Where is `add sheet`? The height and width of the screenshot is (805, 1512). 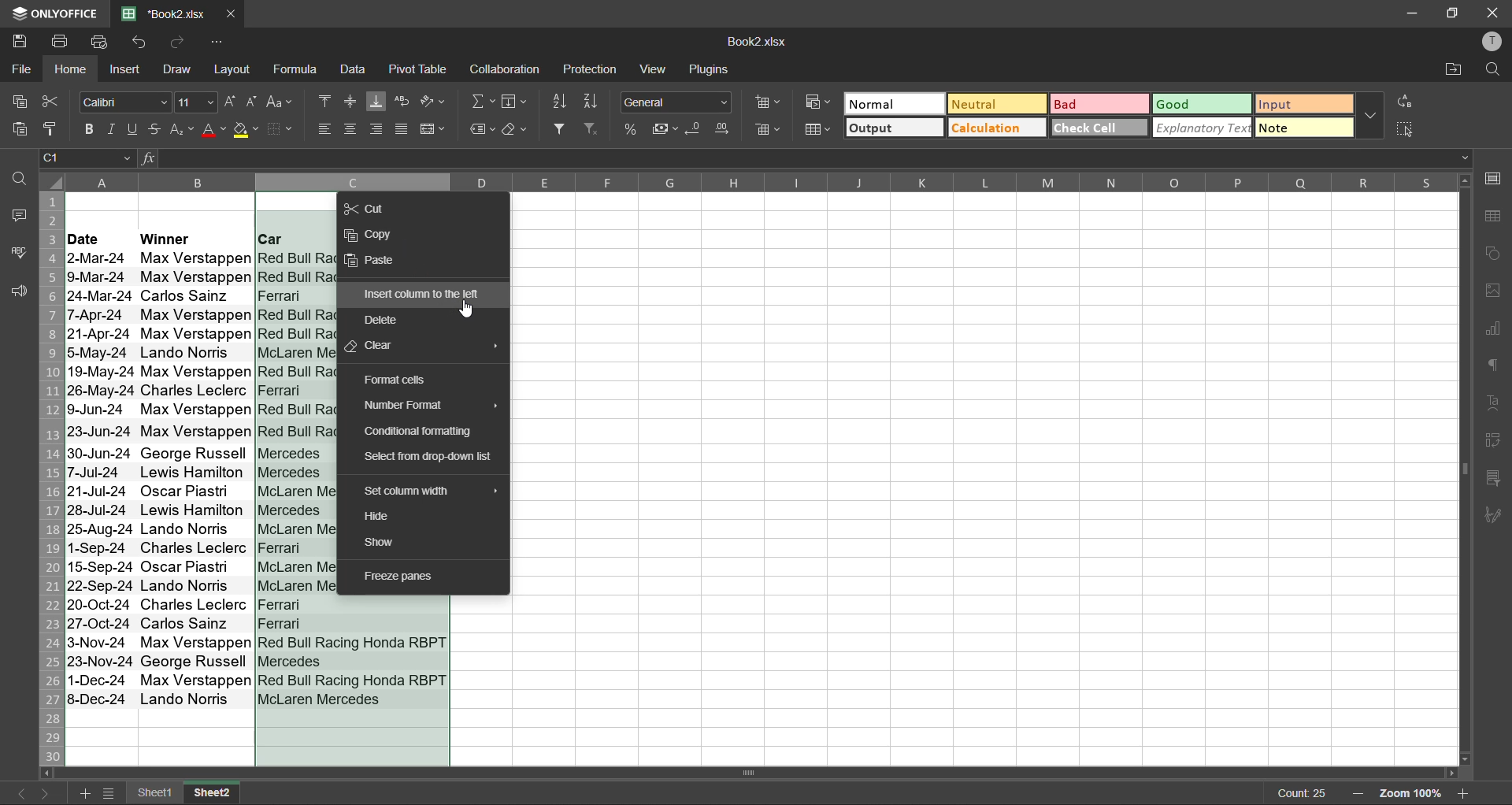 add sheet is located at coordinates (87, 794).